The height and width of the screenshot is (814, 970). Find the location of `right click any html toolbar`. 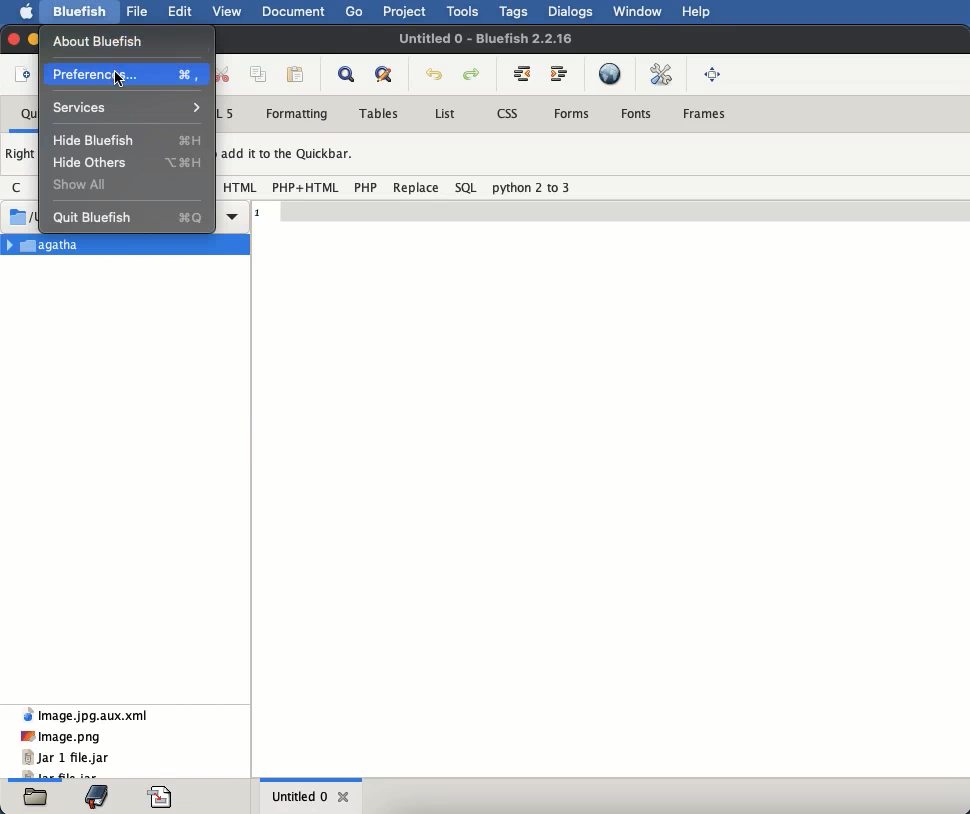

right click any html toolbar is located at coordinates (289, 154).